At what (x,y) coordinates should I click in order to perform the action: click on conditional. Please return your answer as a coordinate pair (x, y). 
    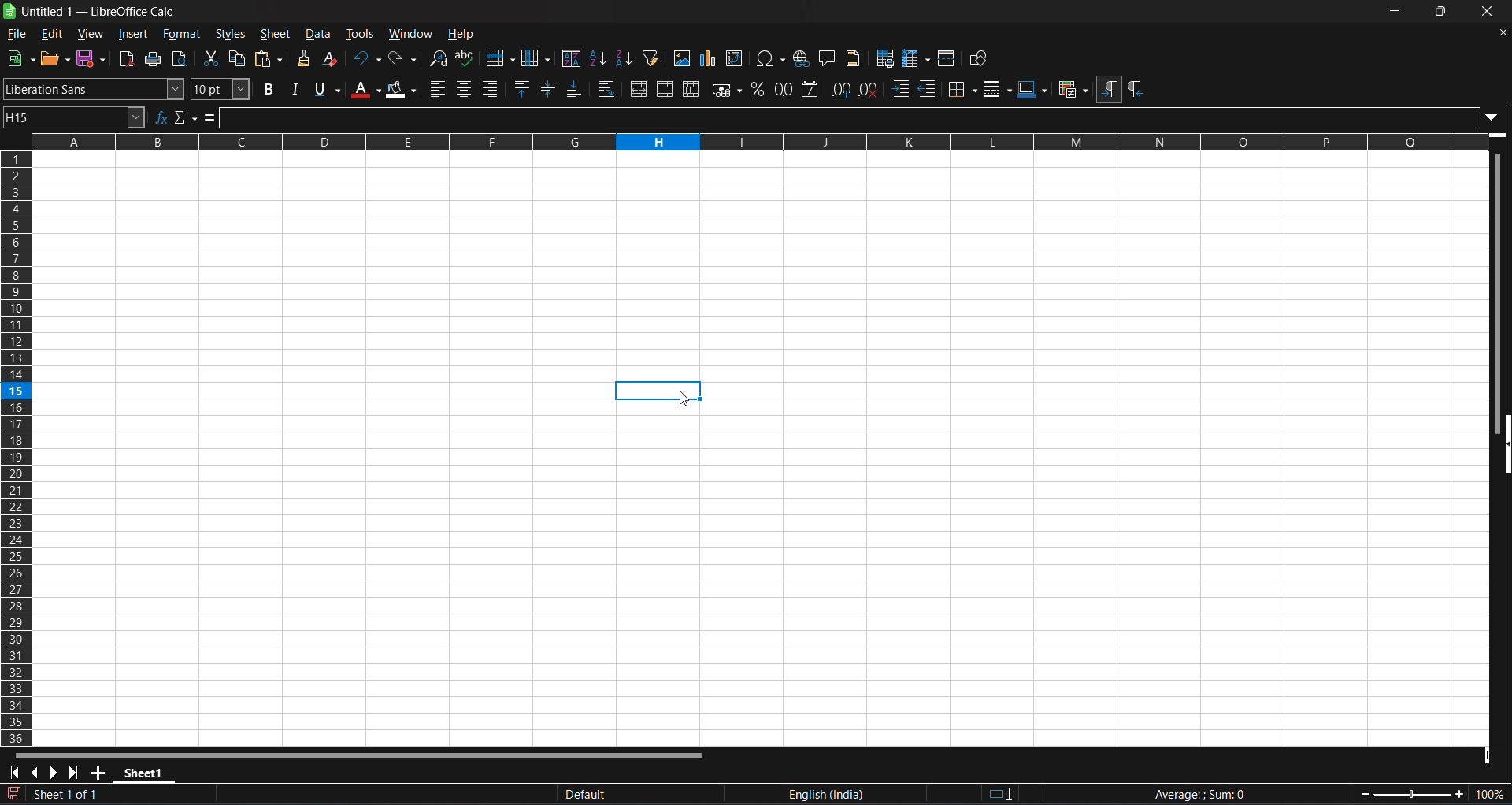
    Looking at the image, I should click on (1073, 88).